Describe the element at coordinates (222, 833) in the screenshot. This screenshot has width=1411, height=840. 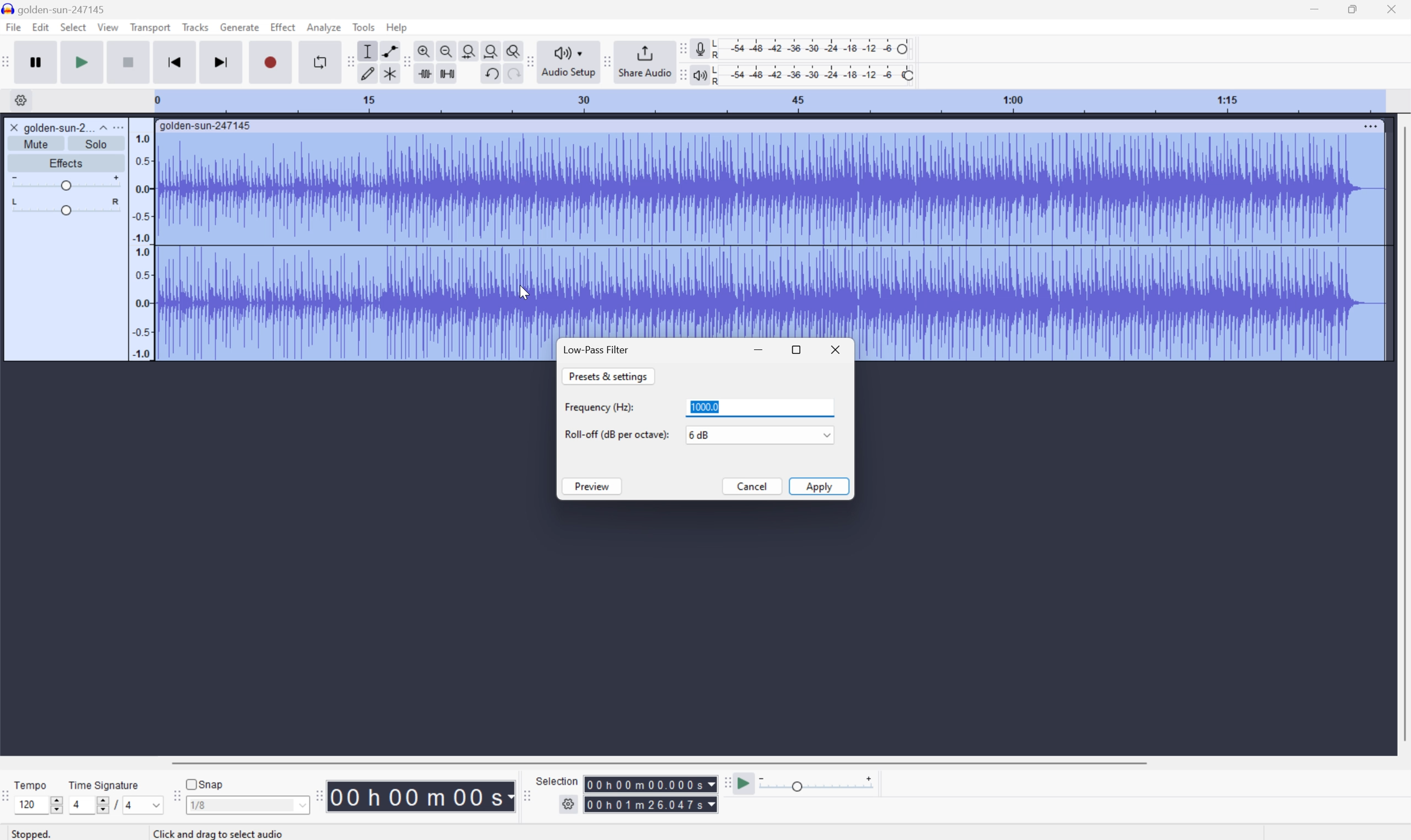
I see `` at that location.